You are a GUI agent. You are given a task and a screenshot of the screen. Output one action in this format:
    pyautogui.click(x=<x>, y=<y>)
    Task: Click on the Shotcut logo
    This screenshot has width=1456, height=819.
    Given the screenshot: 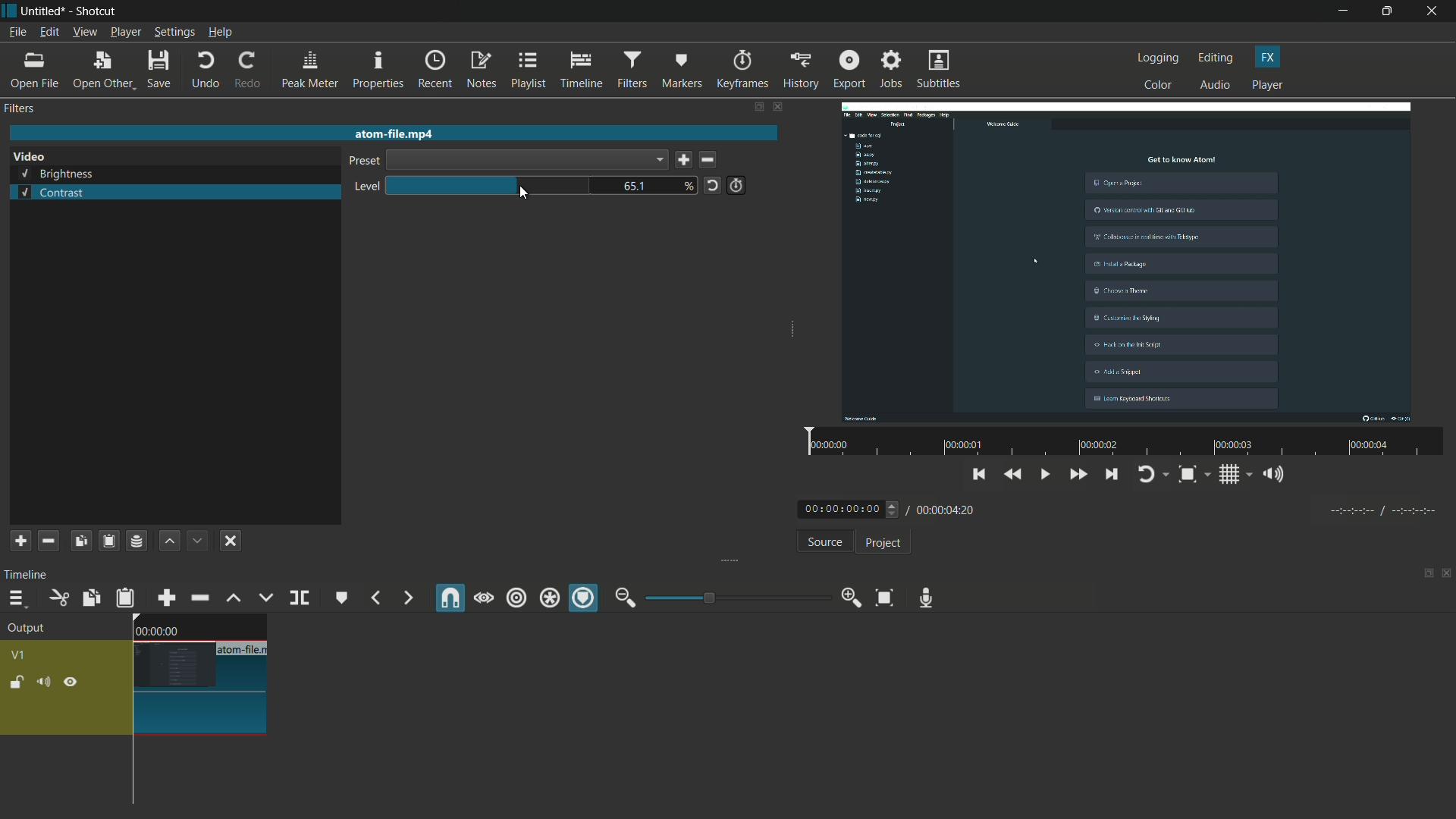 What is the action you would take?
    pyautogui.click(x=9, y=11)
    